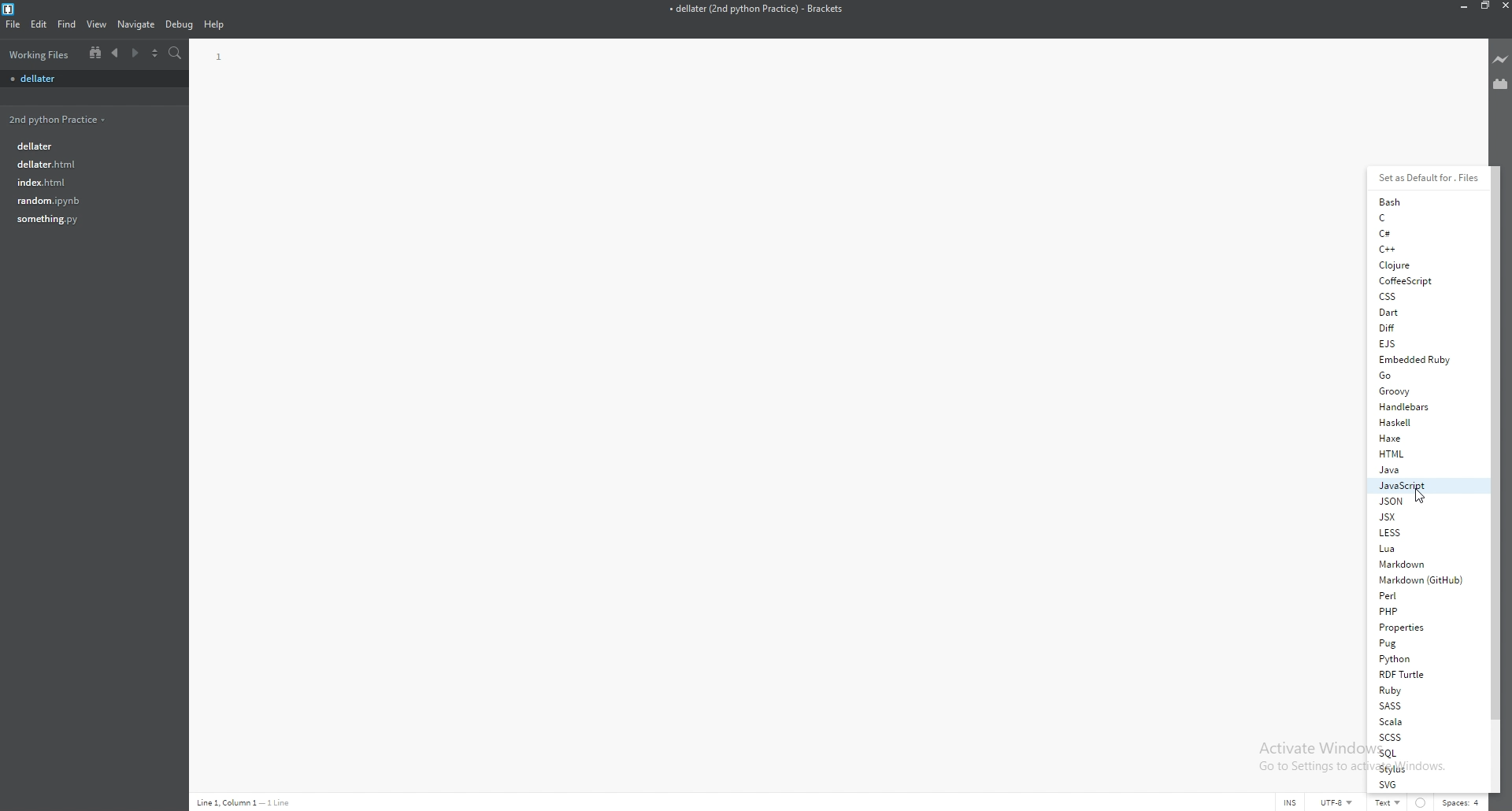 This screenshot has width=1512, height=811. What do you see at coordinates (1462, 802) in the screenshot?
I see `spaces` at bounding box center [1462, 802].